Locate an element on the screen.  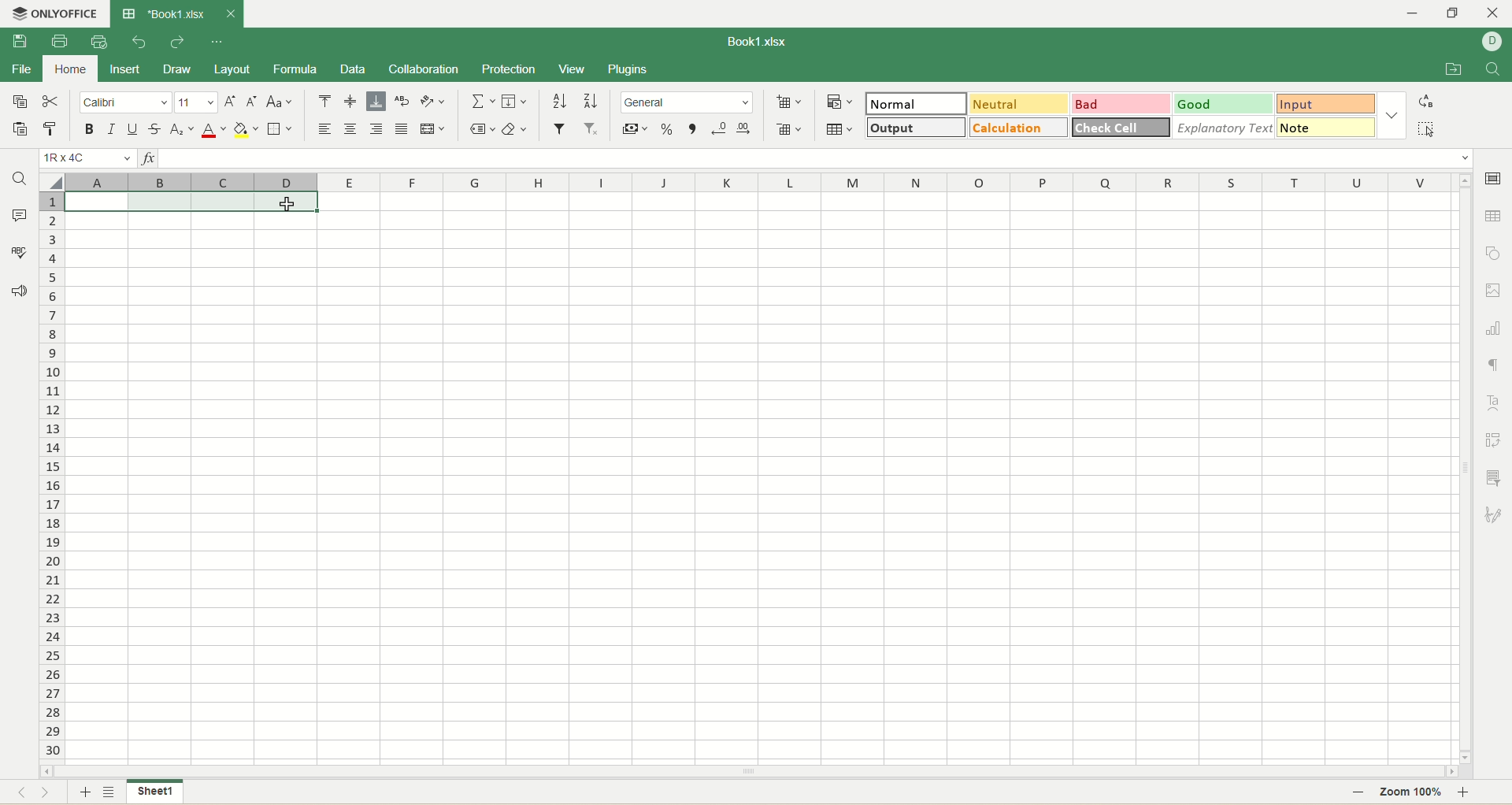
horizontal scroll bar is located at coordinates (750, 772).